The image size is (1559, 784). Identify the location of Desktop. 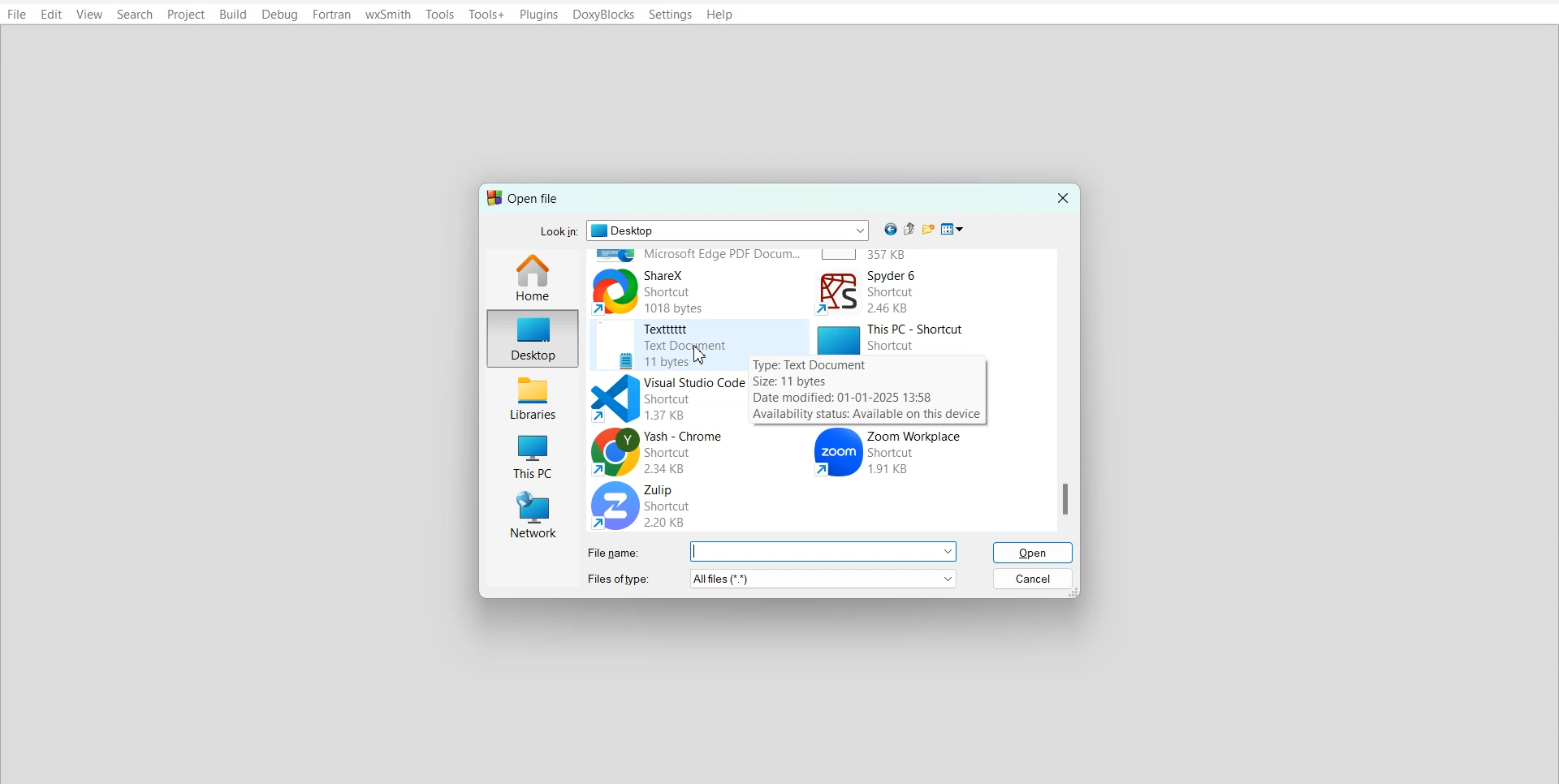
(530, 337).